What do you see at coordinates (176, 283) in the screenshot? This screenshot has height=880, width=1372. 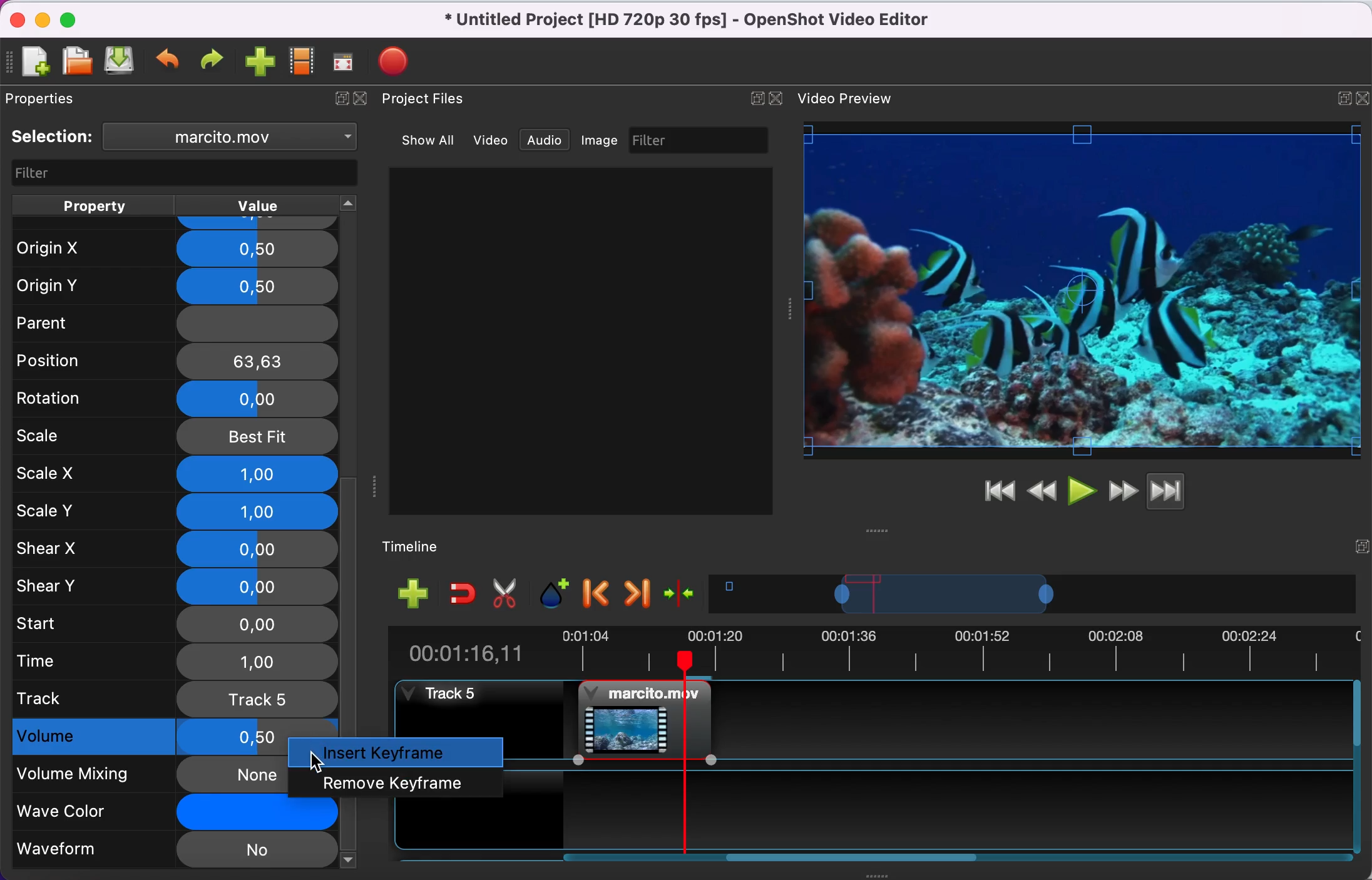 I see `origin y 0,5` at bounding box center [176, 283].